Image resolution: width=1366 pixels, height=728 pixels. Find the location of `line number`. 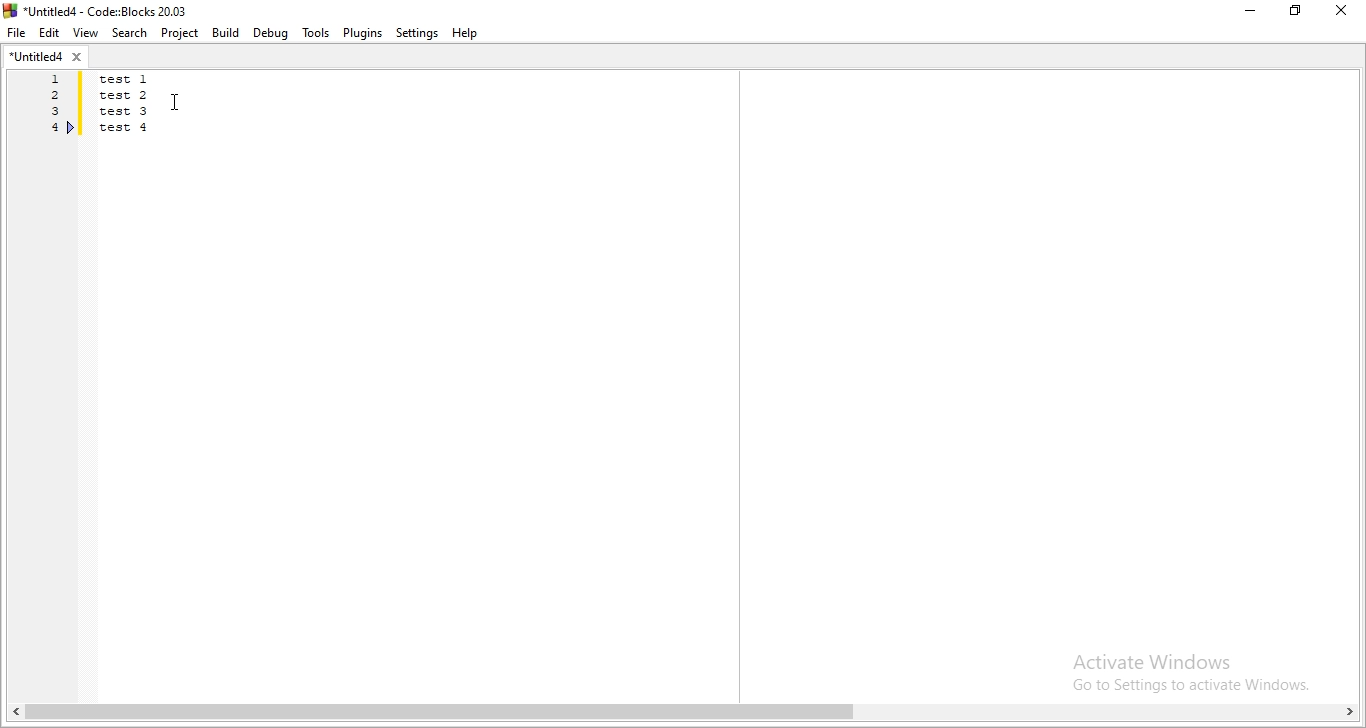

line number is located at coordinates (50, 107).